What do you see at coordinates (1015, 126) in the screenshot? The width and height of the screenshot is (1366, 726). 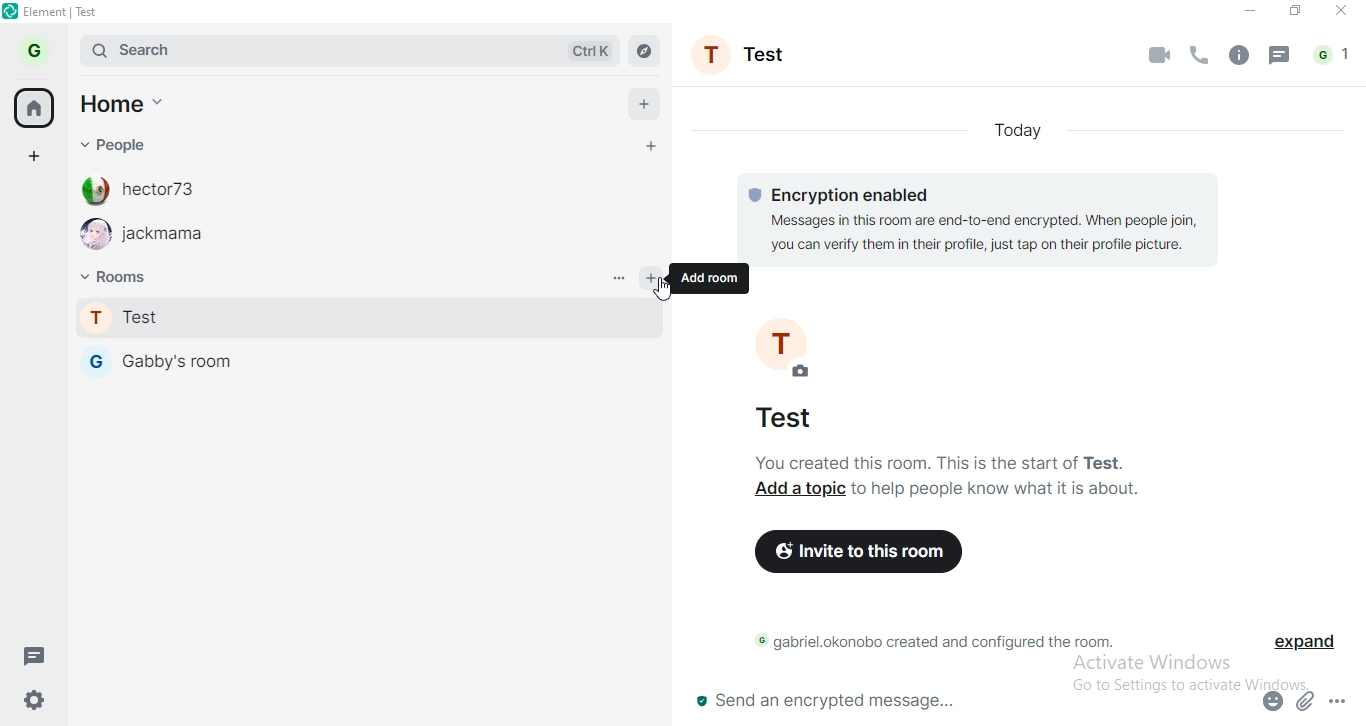 I see `today` at bounding box center [1015, 126].